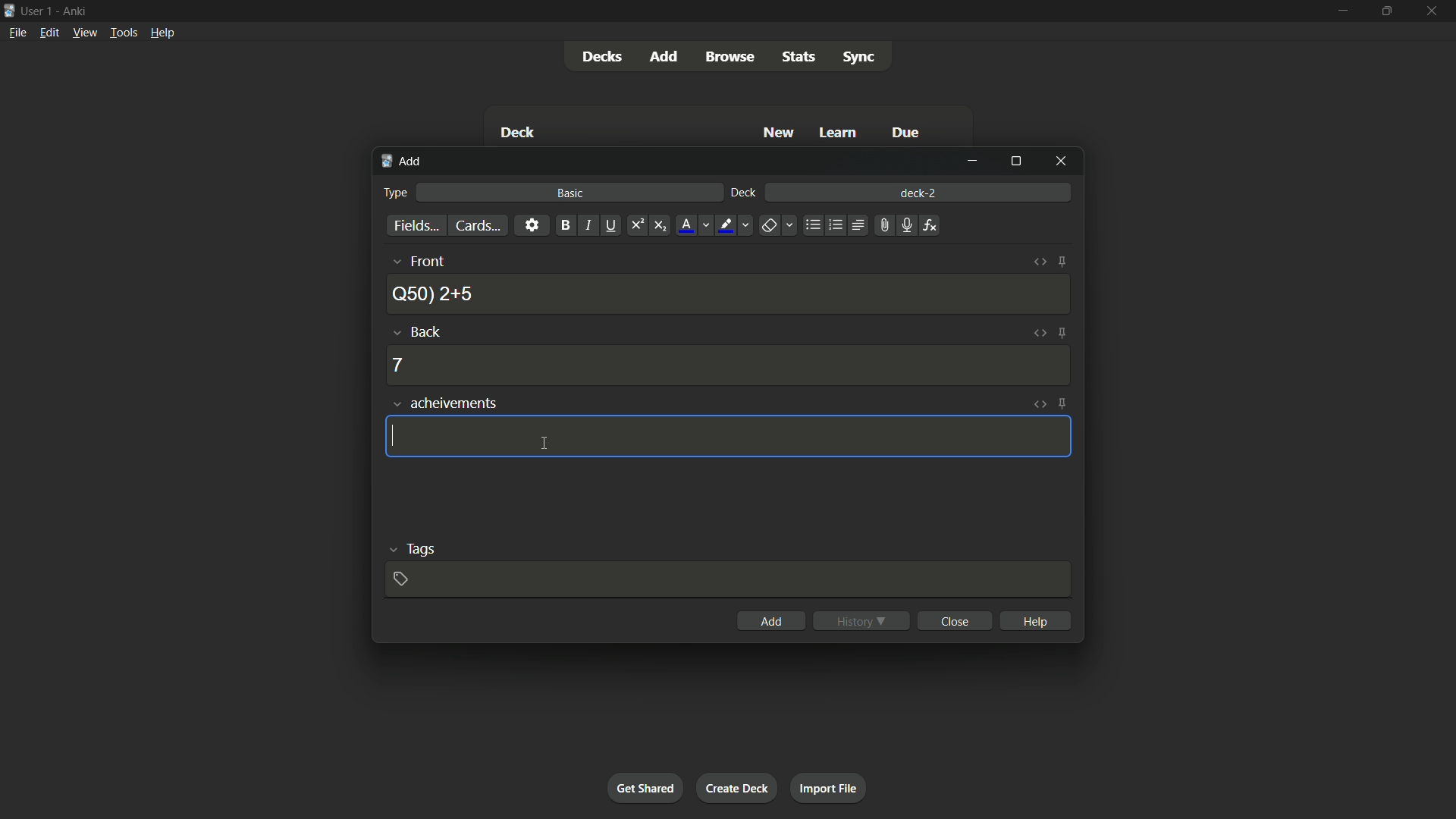 The width and height of the screenshot is (1456, 819). I want to click on add, so click(662, 56).